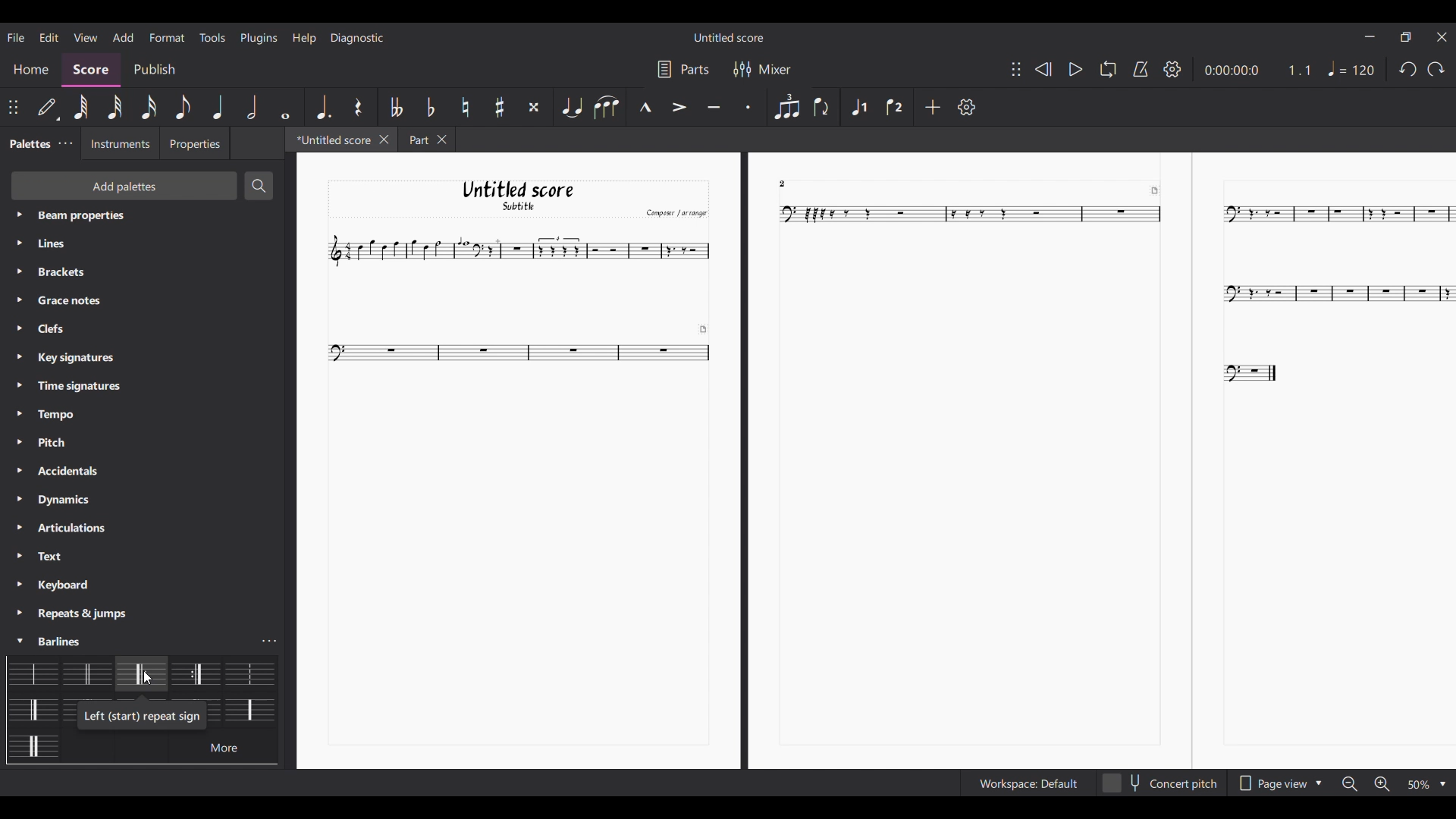 Image resolution: width=1456 pixels, height=819 pixels. I want to click on Marcato, so click(645, 106).